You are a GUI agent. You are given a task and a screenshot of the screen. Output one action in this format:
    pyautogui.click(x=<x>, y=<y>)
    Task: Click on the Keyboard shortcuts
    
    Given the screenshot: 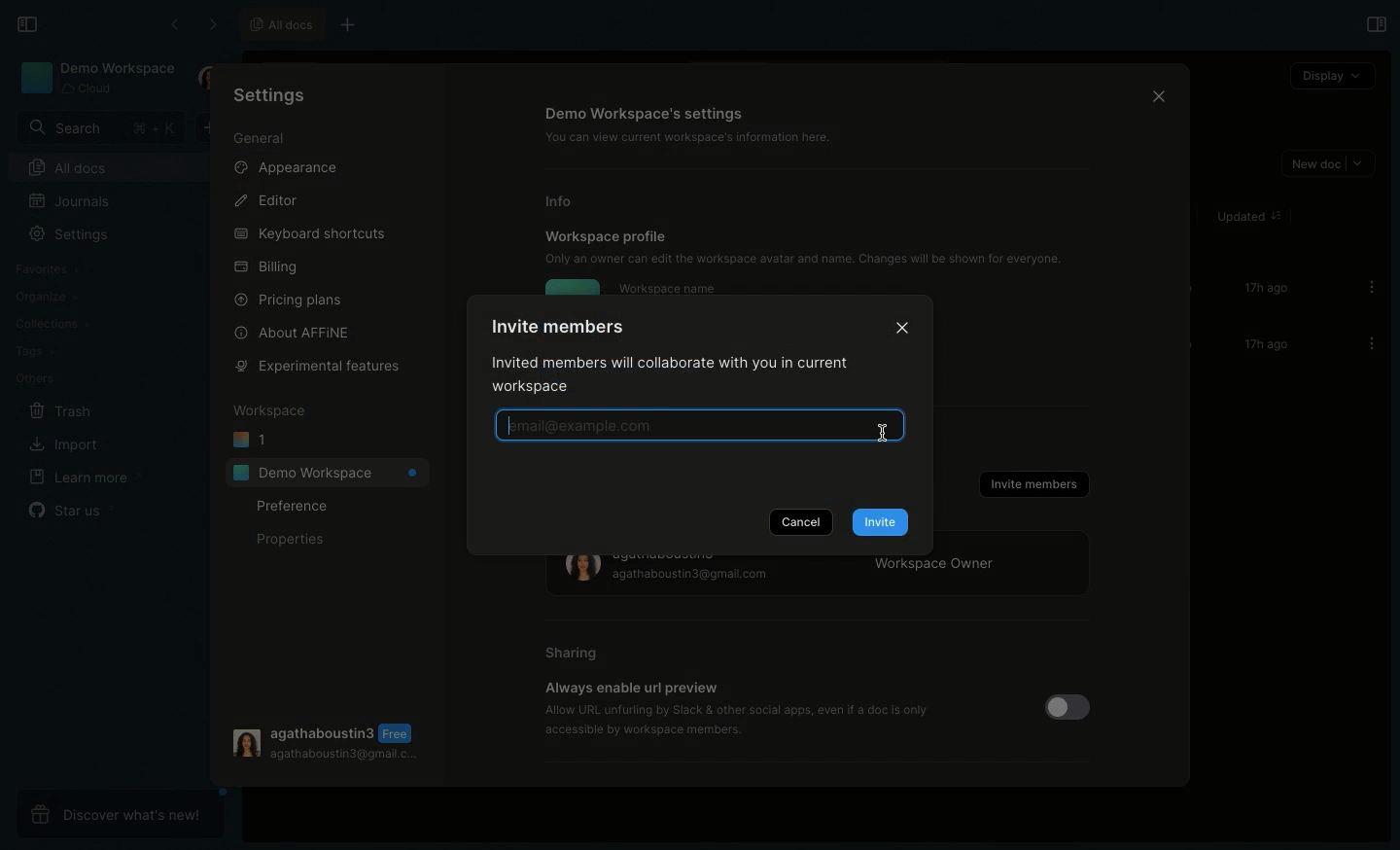 What is the action you would take?
    pyautogui.click(x=310, y=230)
    